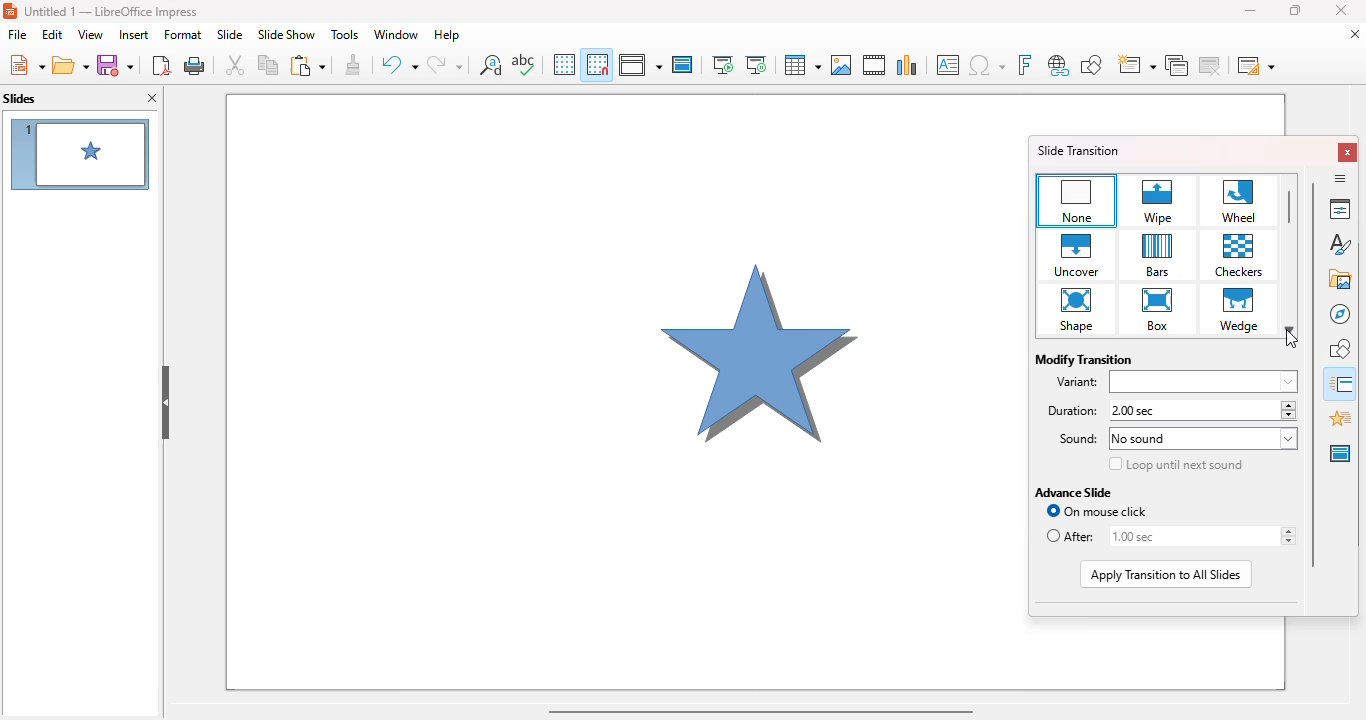 This screenshot has height=720, width=1366. What do you see at coordinates (1340, 314) in the screenshot?
I see `navigator` at bounding box center [1340, 314].